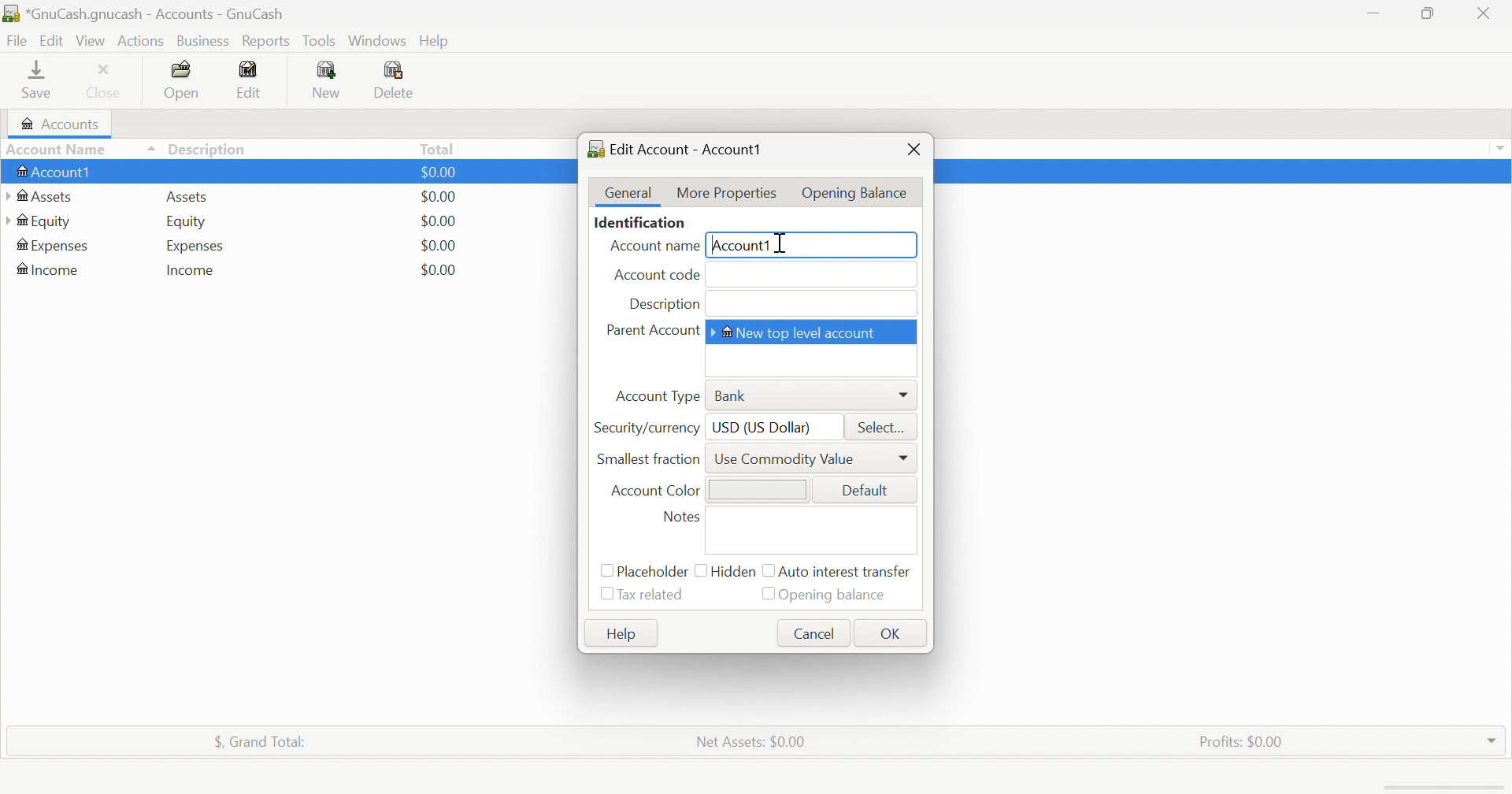 The image size is (1512, 794). I want to click on Opening balance, so click(825, 595).